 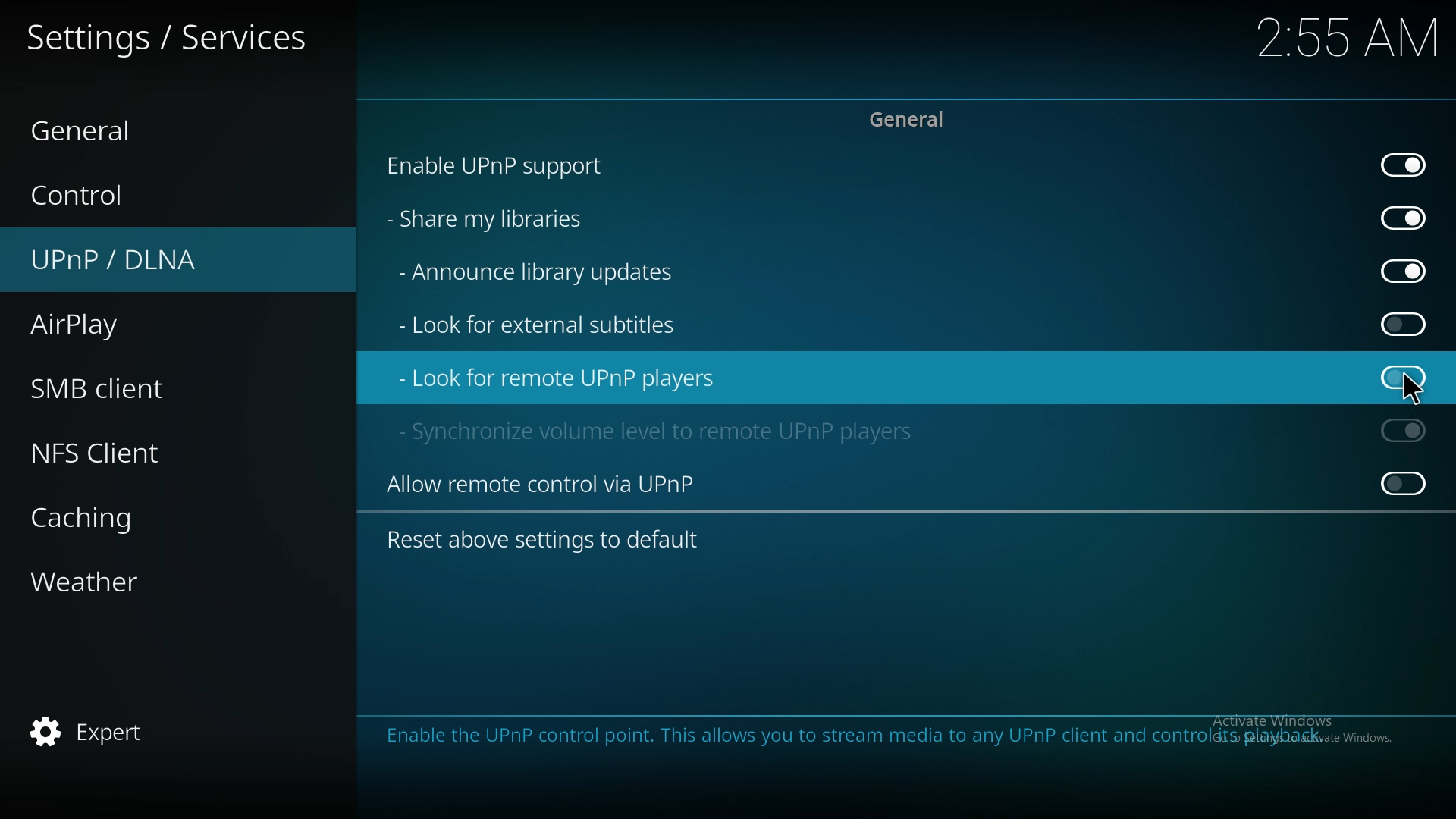 I want to click on on, so click(x=1406, y=218).